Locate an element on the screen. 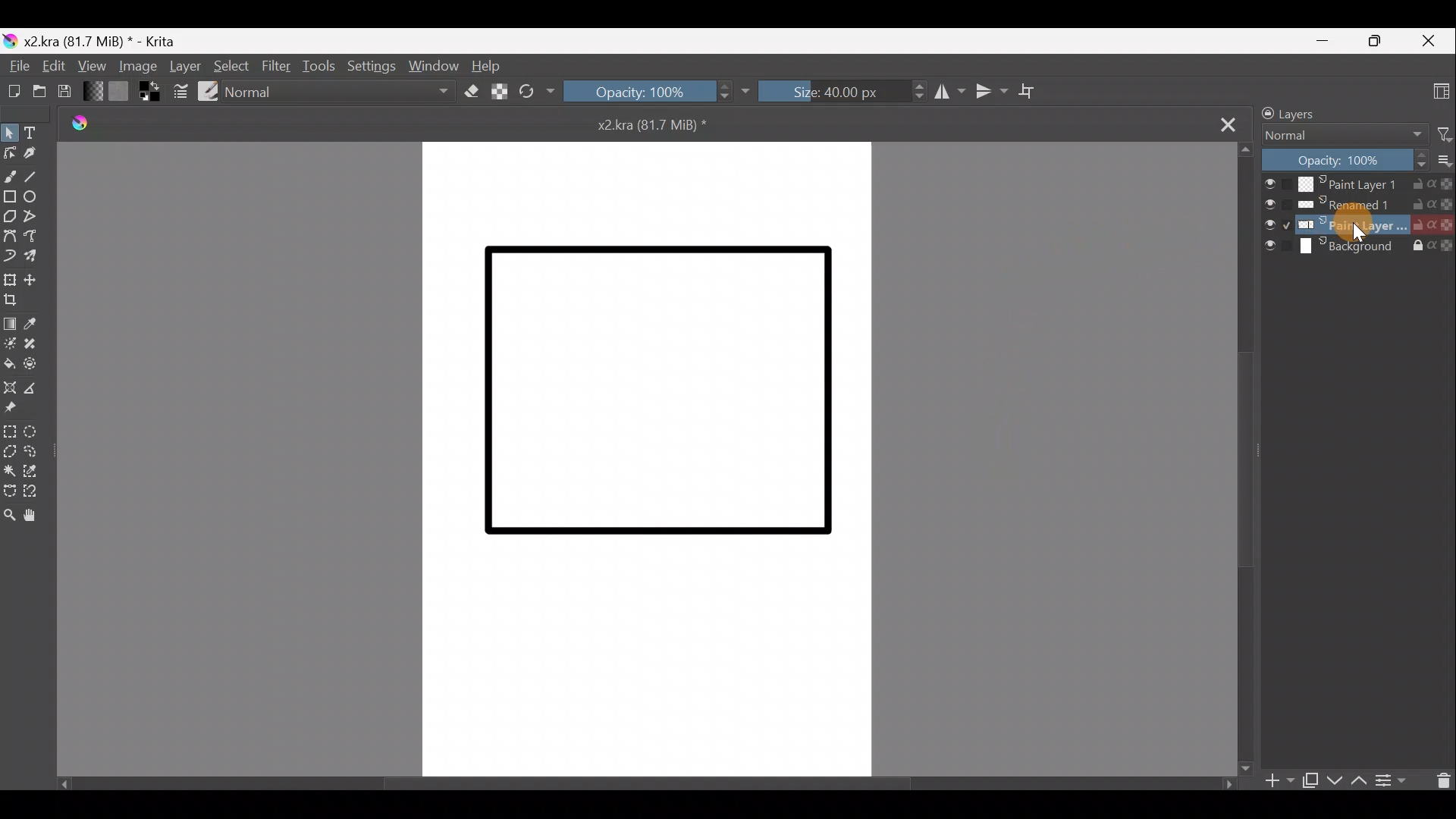  Freehand selection tool is located at coordinates (35, 451).